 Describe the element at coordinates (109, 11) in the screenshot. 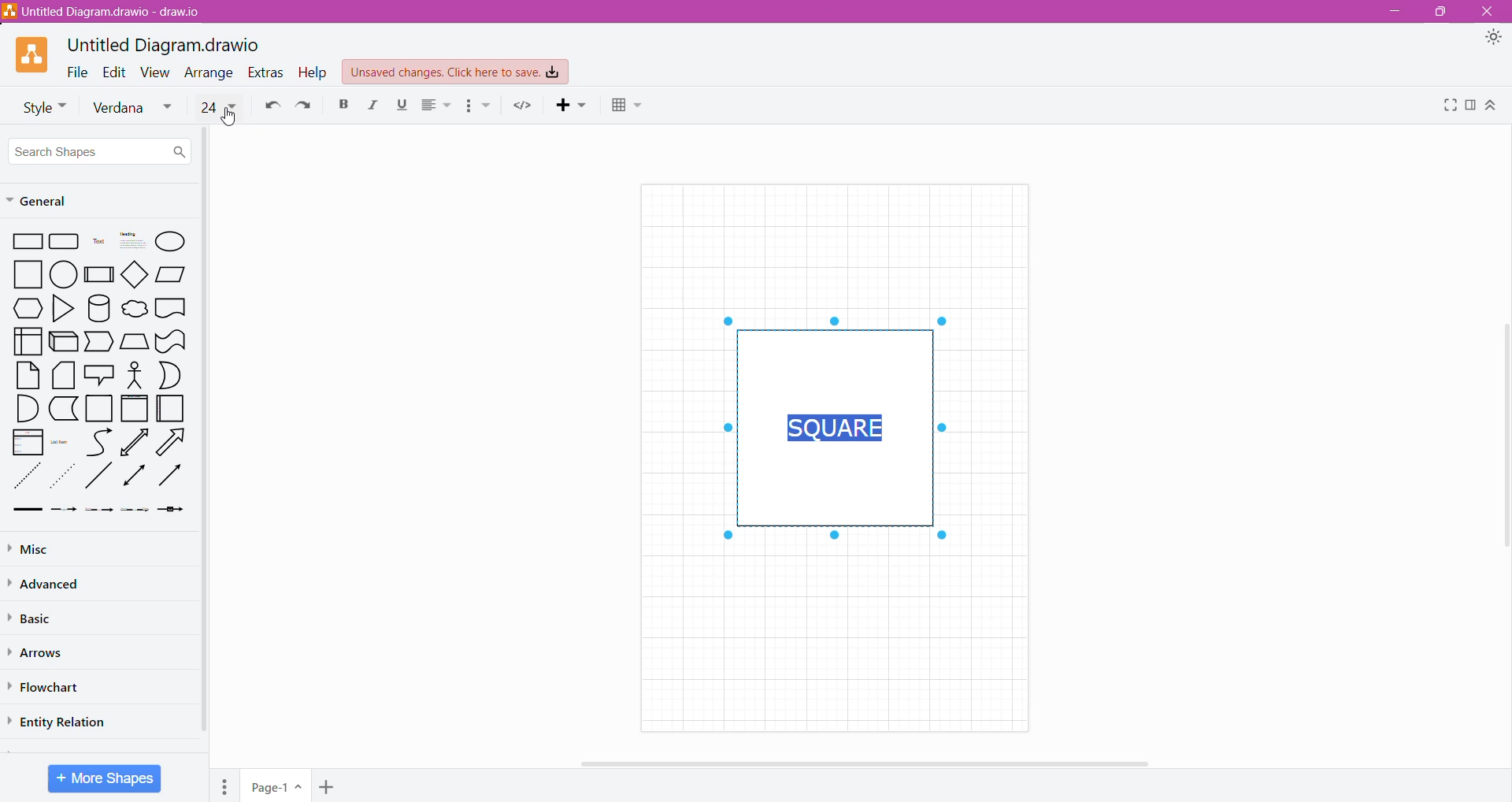

I see `Diagram Title.draw.io - Application Name` at that location.